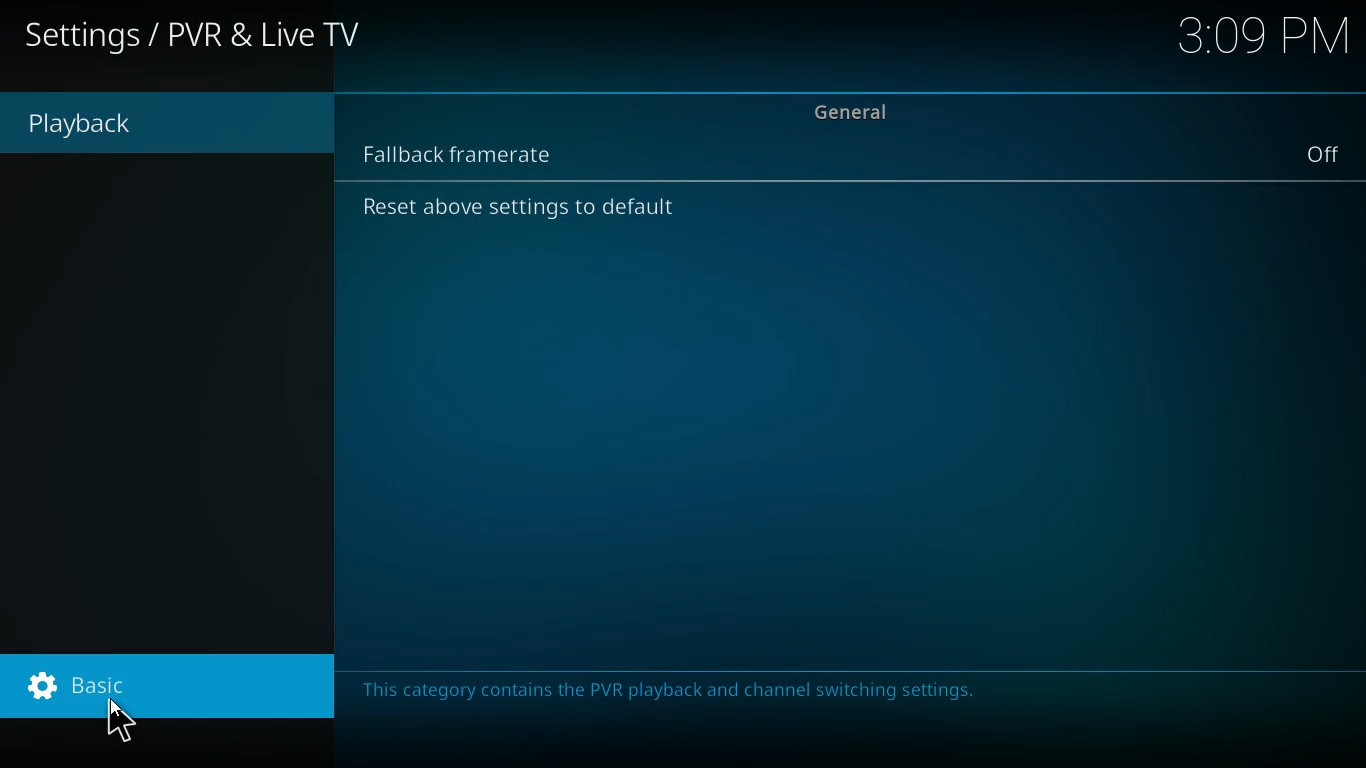  I want to click on reset above settings to default, so click(530, 212).